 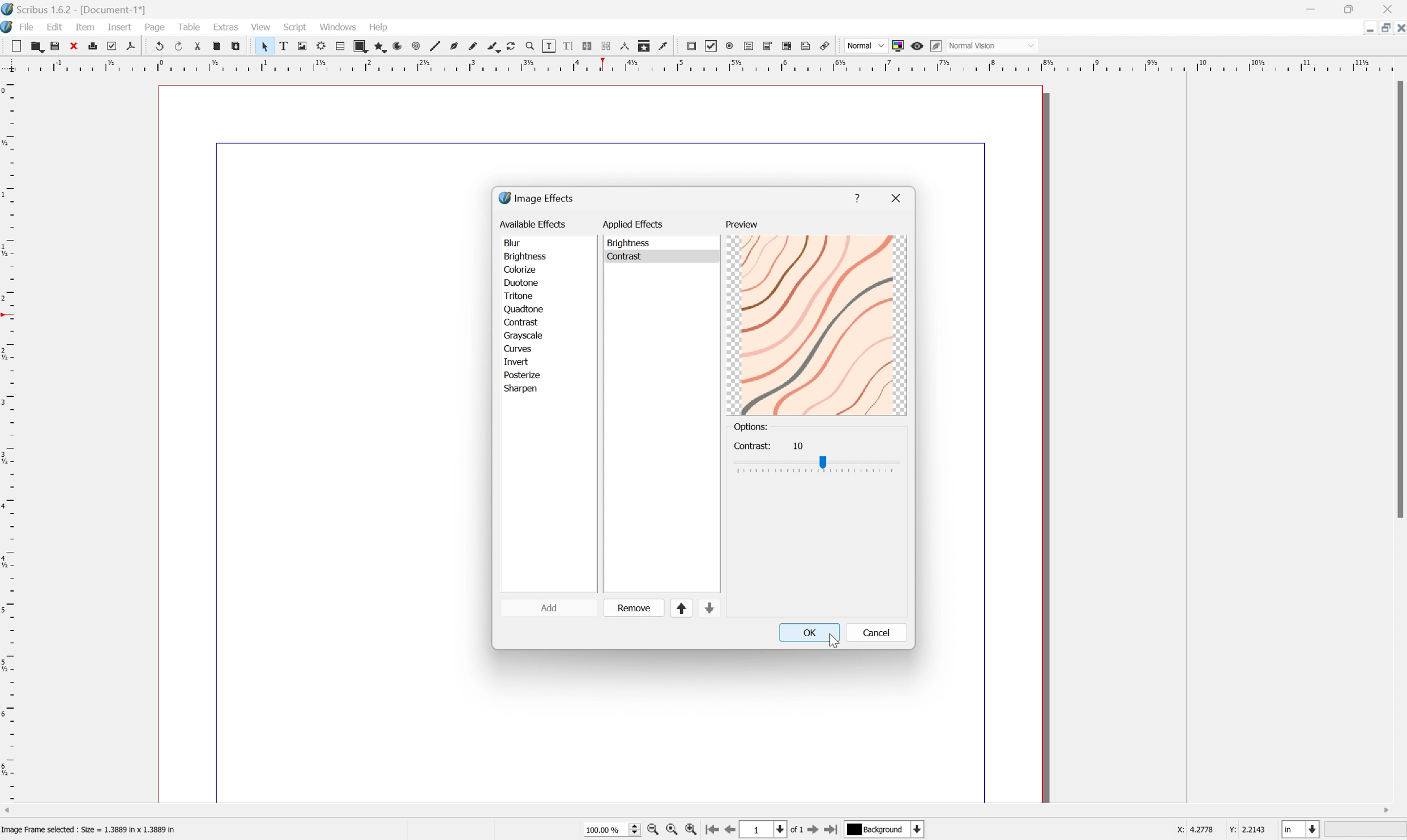 I want to click on Open, so click(x=36, y=46).